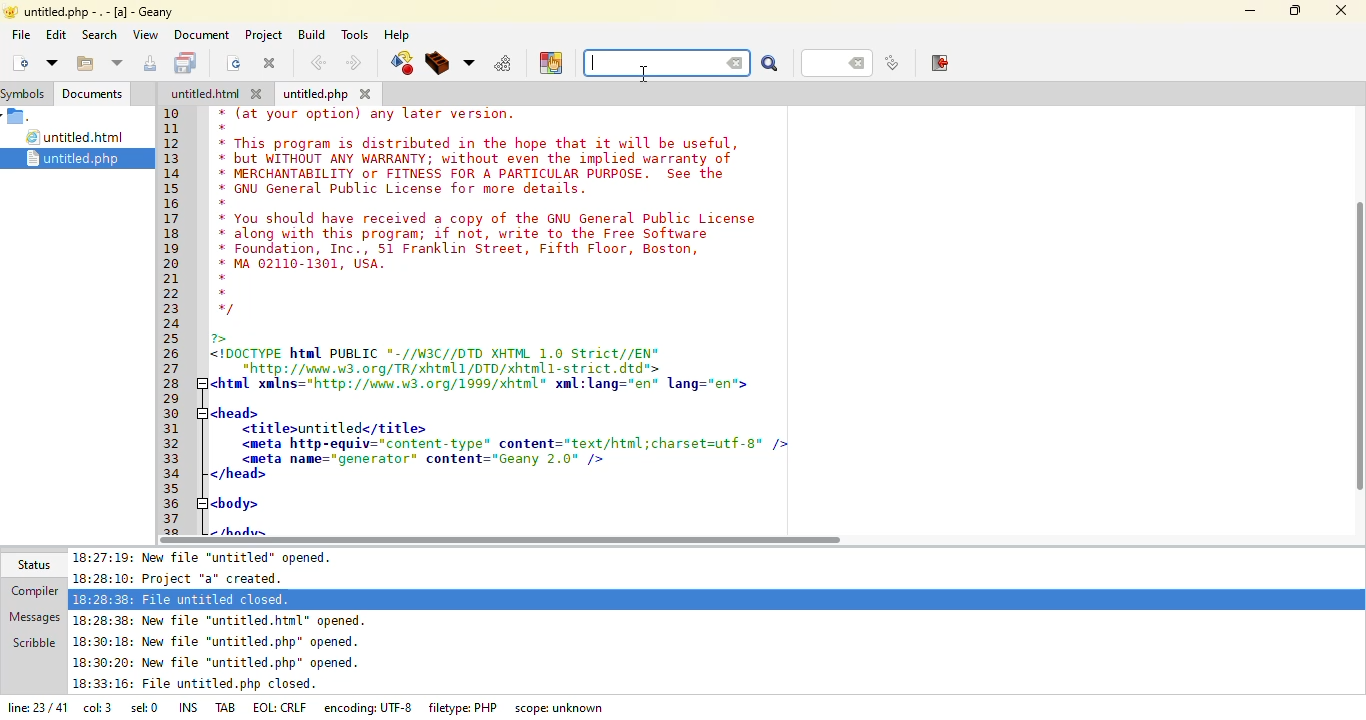 This screenshot has width=1366, height=720. I want to click on 15, so click(178, 190).